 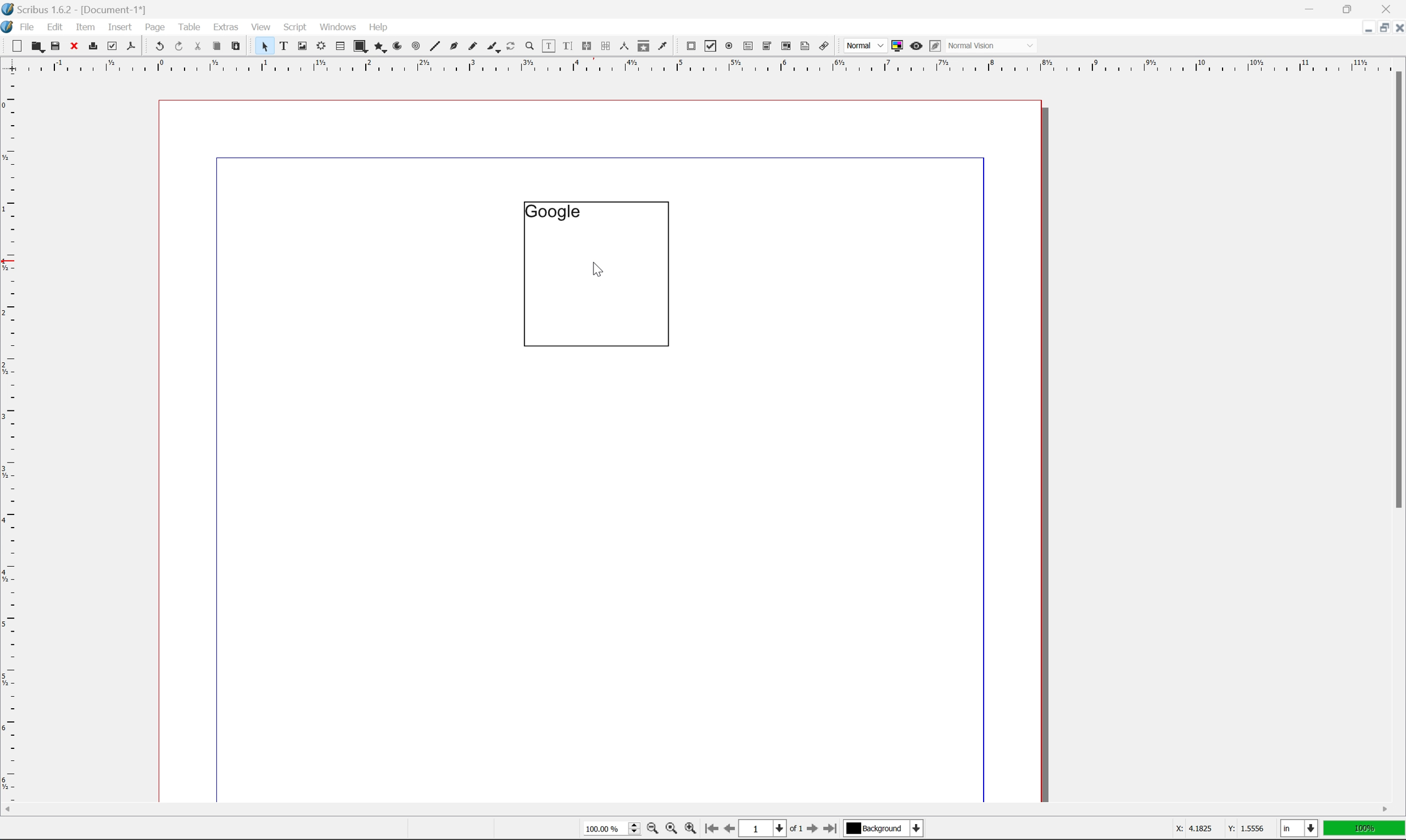 I want to click on preflight verifier, so click(x=113, y=45).